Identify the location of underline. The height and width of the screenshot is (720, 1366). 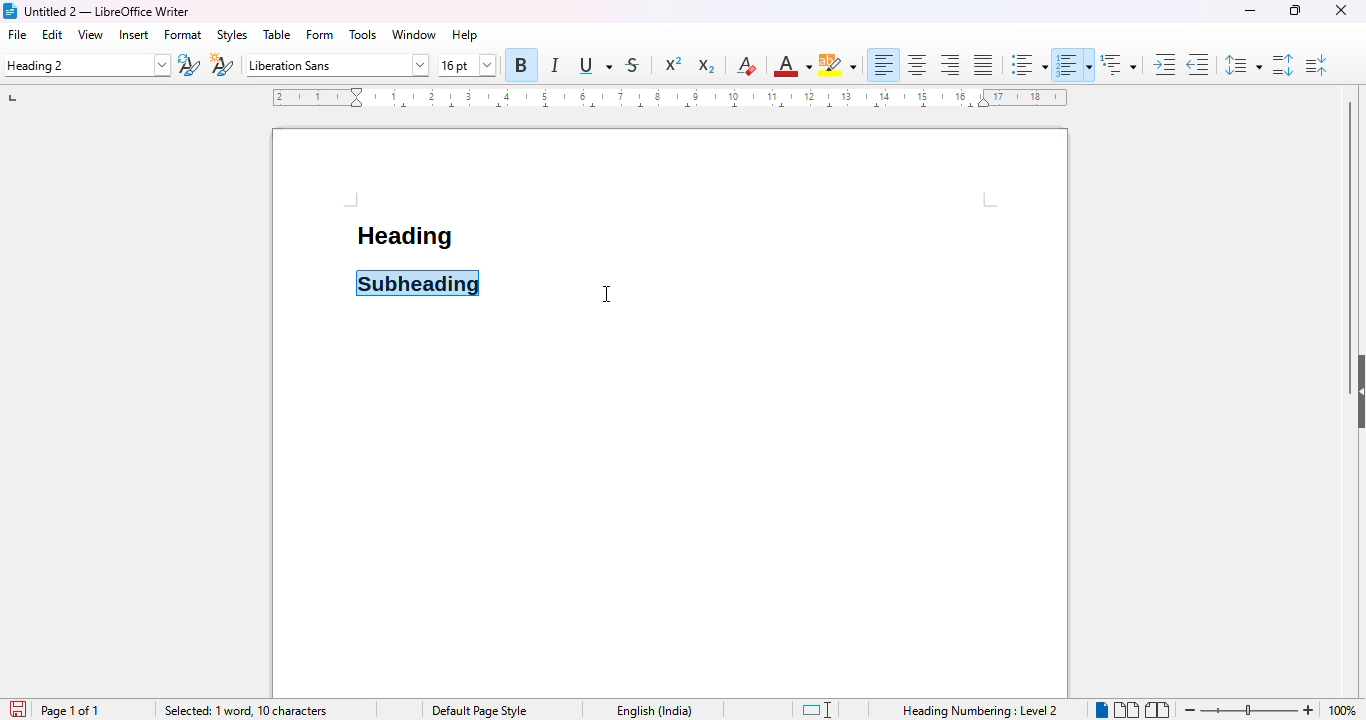
(593, 66).